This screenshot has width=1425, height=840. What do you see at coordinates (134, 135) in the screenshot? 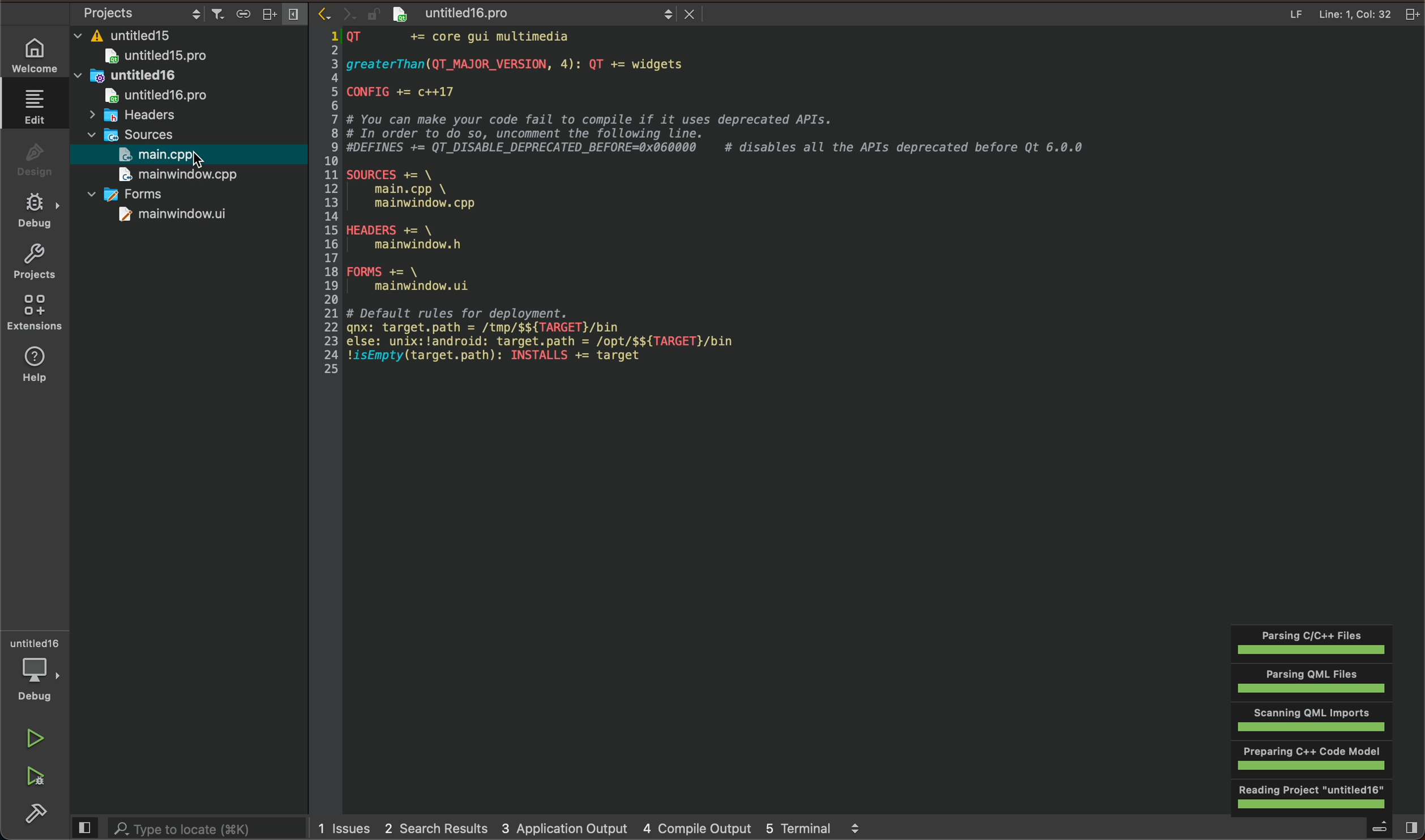
I see `sources` at bounding box center [134, 135].